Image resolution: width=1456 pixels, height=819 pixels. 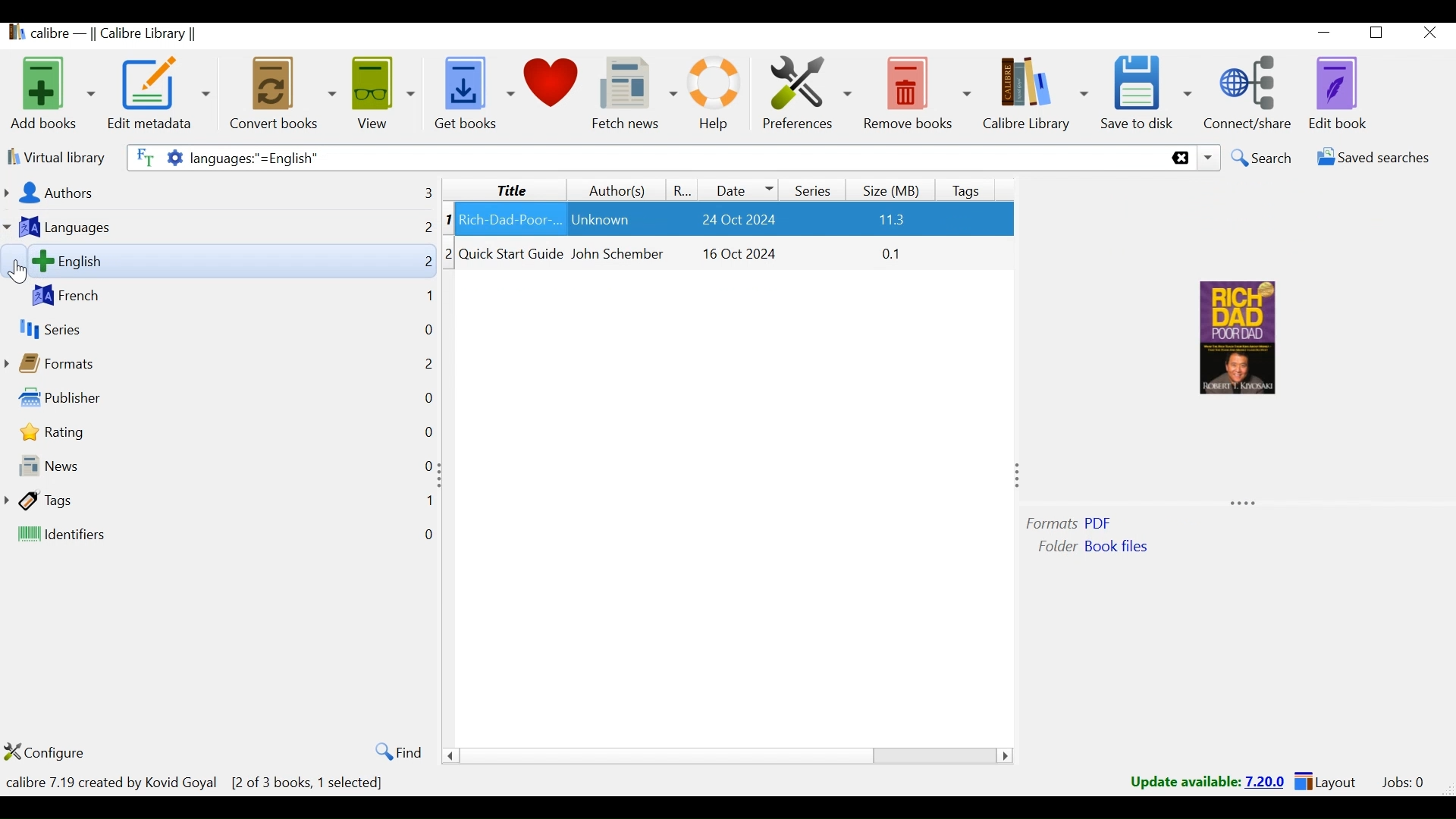 What do you see at coordinates (735, 219) in the screenshot?
I see `pere riche, pére... Robert T. Kiy... 24 0ct 2024 11 Econo...` at bounding box center [735, 219].